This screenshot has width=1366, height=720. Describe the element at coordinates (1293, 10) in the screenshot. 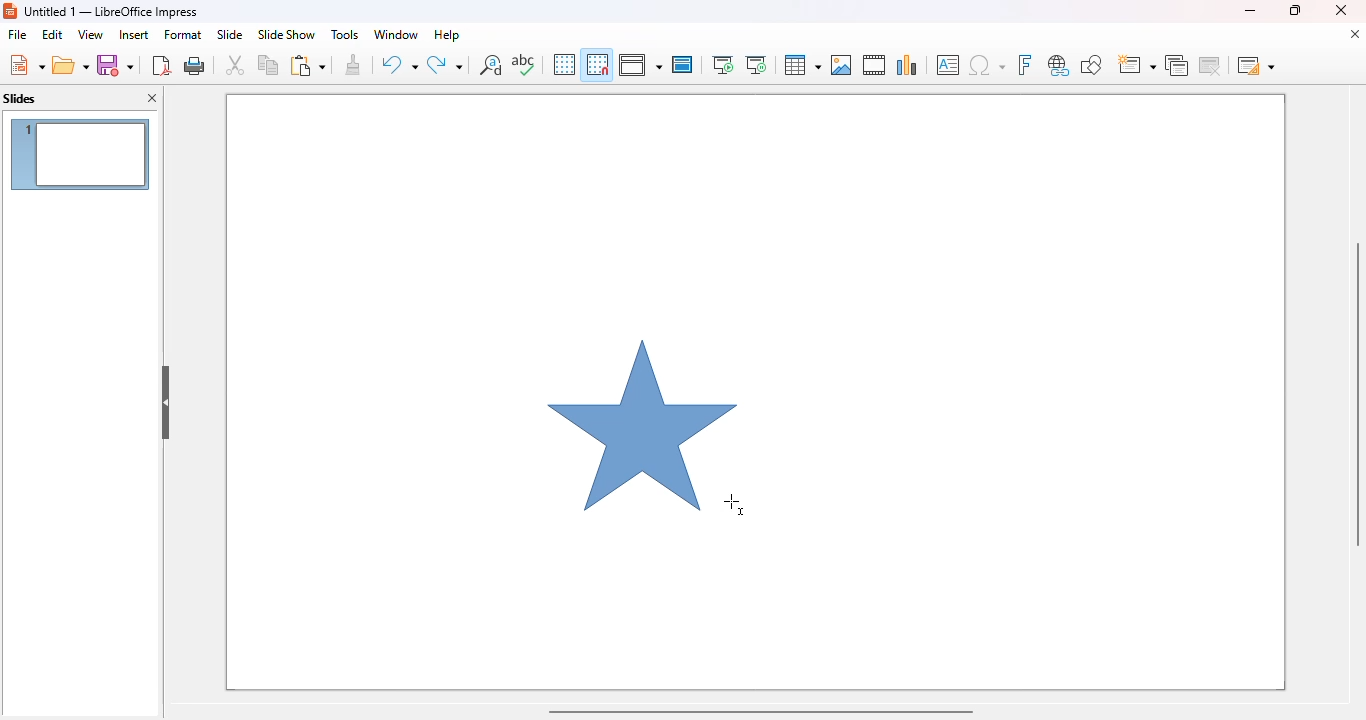

I see `maximize` at that location.